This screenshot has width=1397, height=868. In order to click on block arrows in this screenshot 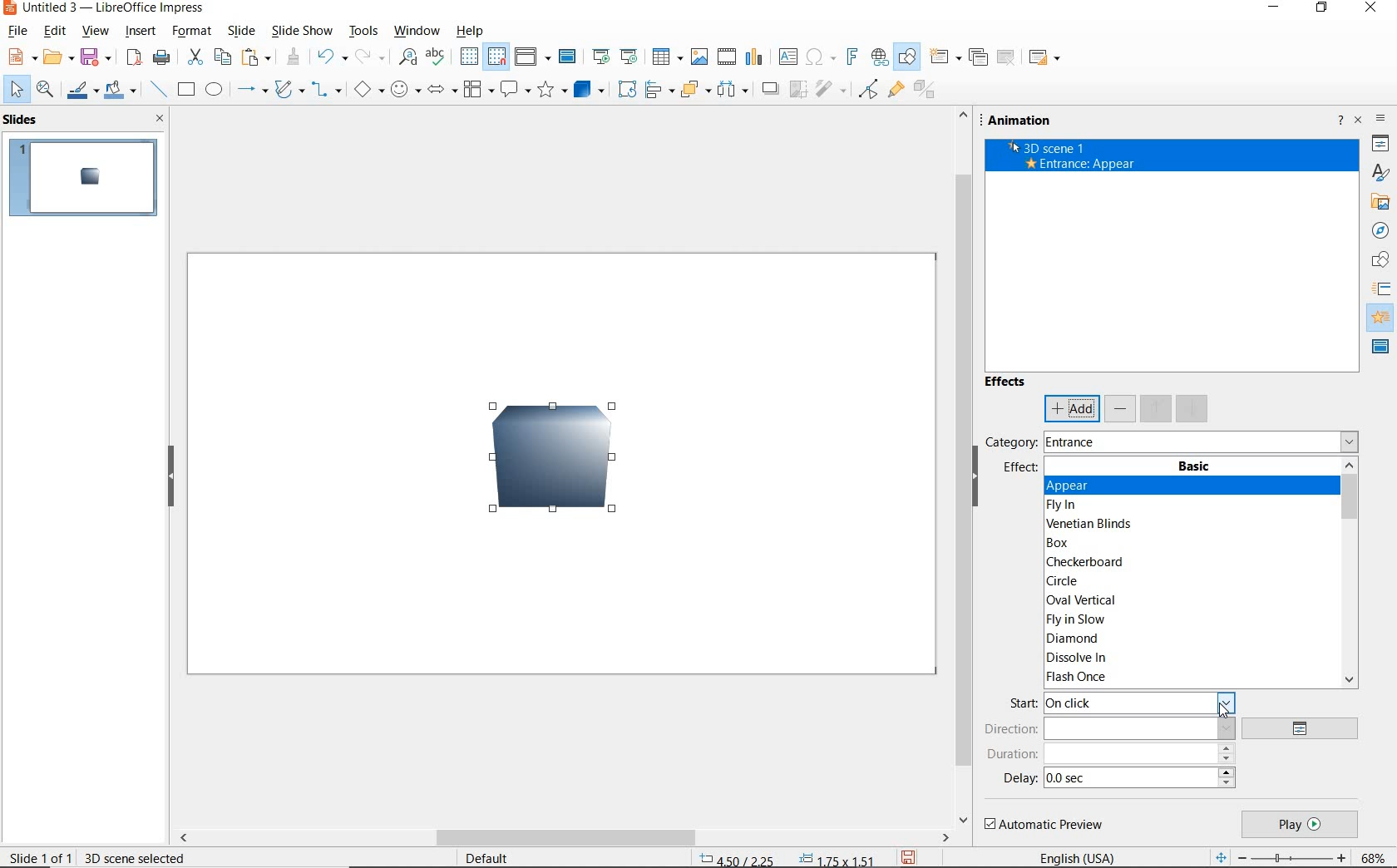, I will do `click(439, 92)`.